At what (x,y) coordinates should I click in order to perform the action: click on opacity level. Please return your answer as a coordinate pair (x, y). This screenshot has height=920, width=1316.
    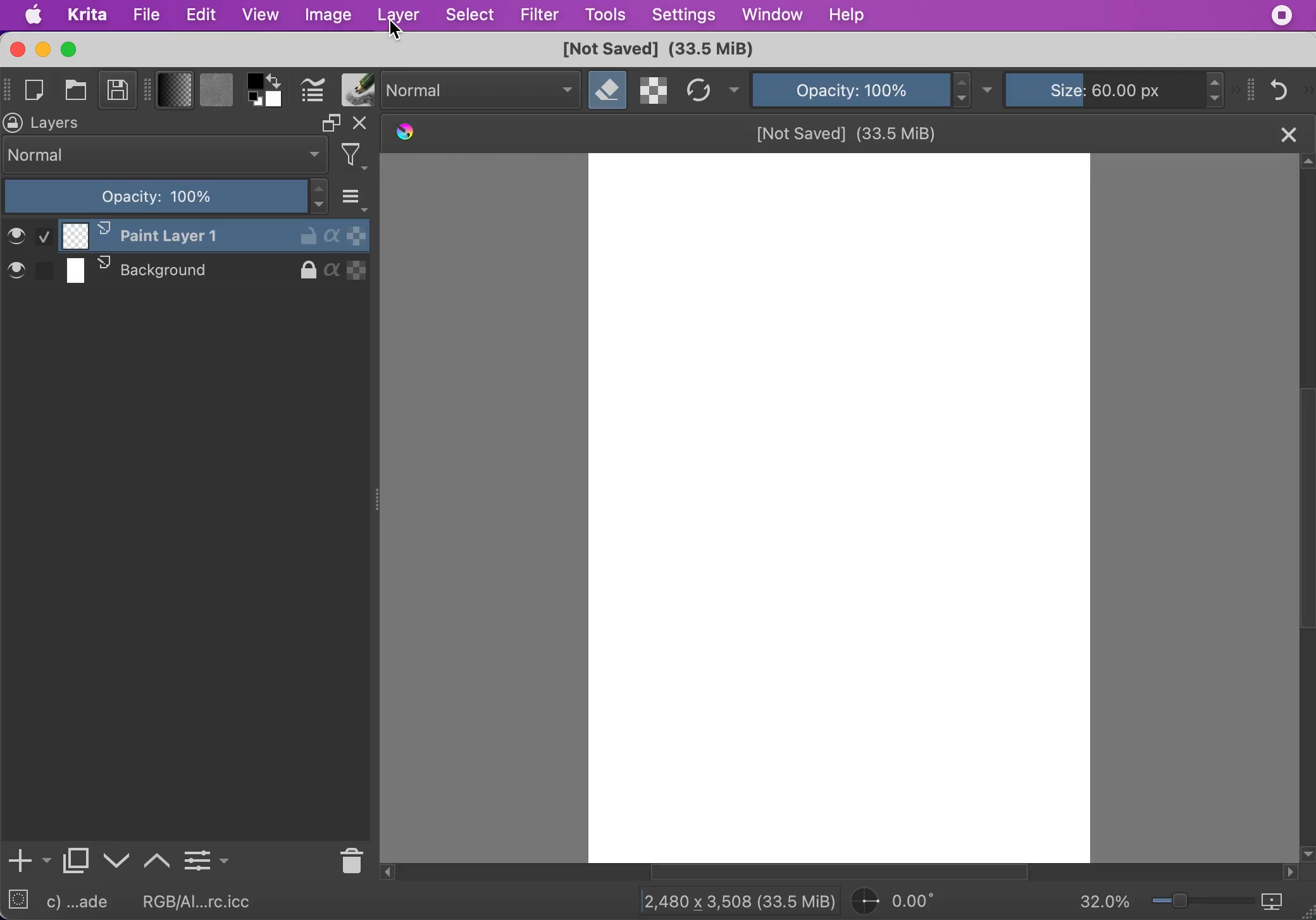
    Looking at the image, I should click on (167, 197).